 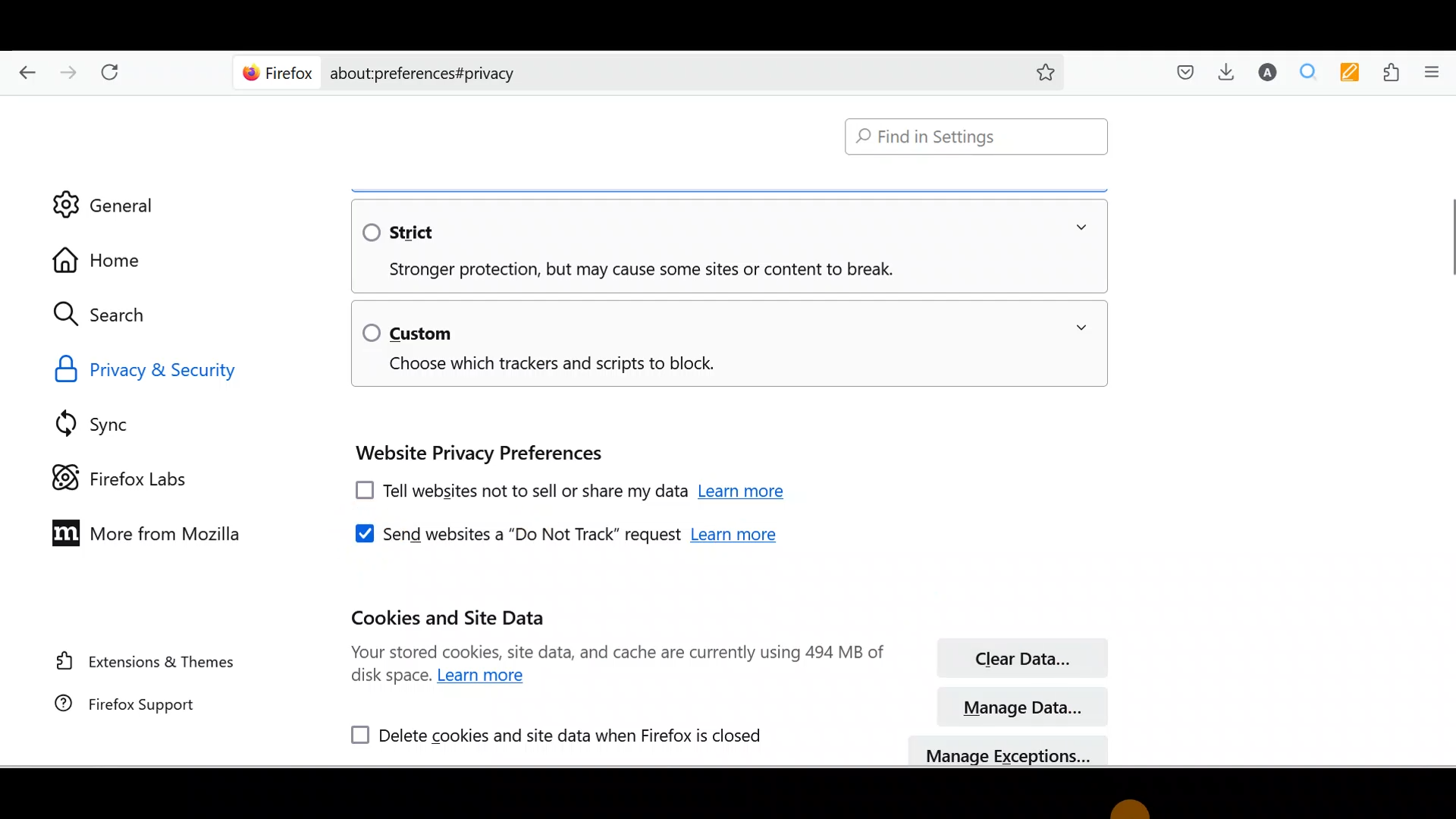 What do you see at coordinates (275, 73) in the screenshot?
I see ` Firefox logo` at bounding box center [275, 73].